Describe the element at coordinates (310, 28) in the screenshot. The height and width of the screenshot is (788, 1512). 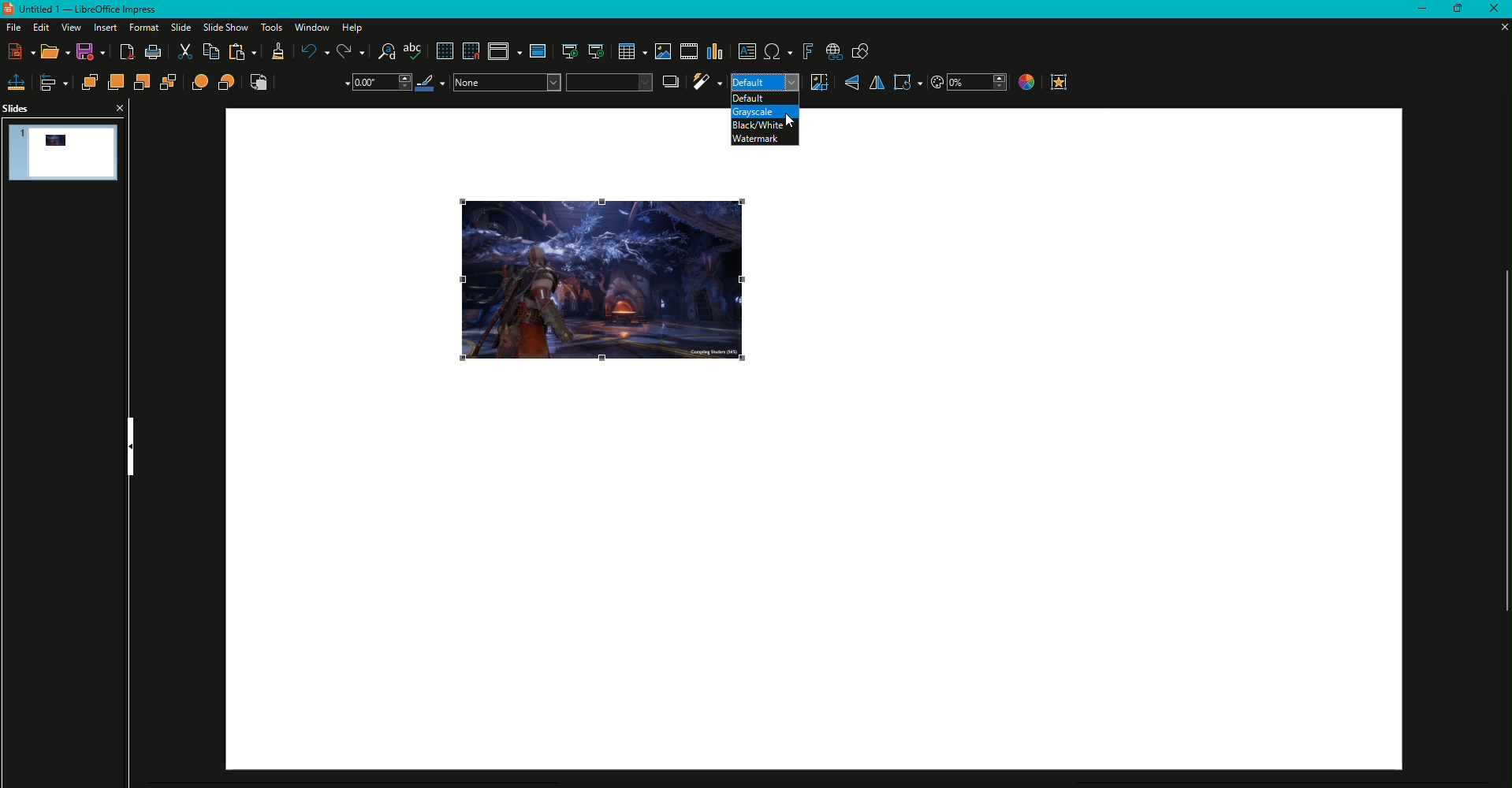
I see `Window` at that location.